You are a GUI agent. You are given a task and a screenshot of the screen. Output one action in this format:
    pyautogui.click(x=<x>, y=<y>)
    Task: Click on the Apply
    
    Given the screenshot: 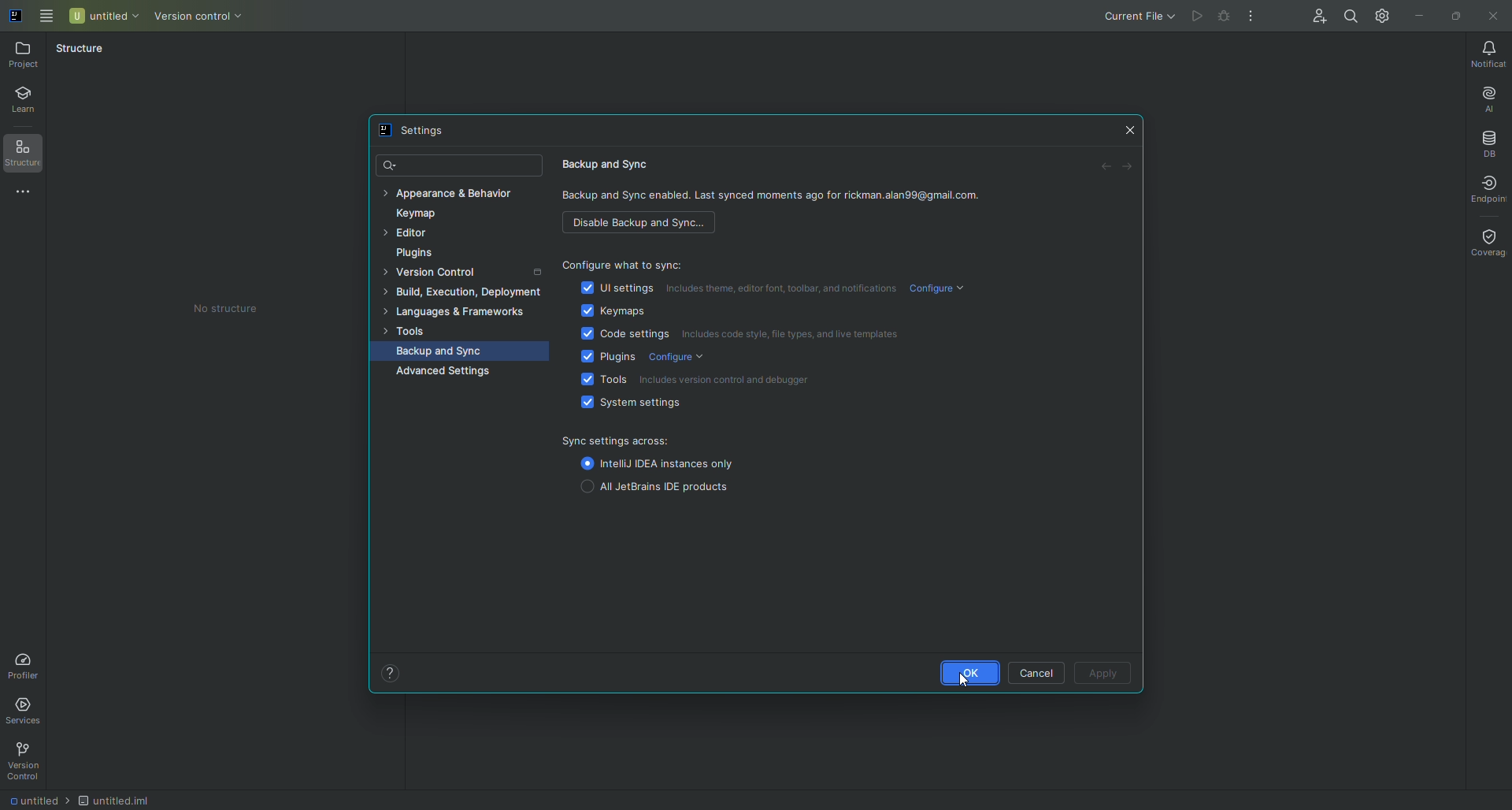 What is the action you would take?
    pyautogui.click(x=1105, y=672)
    